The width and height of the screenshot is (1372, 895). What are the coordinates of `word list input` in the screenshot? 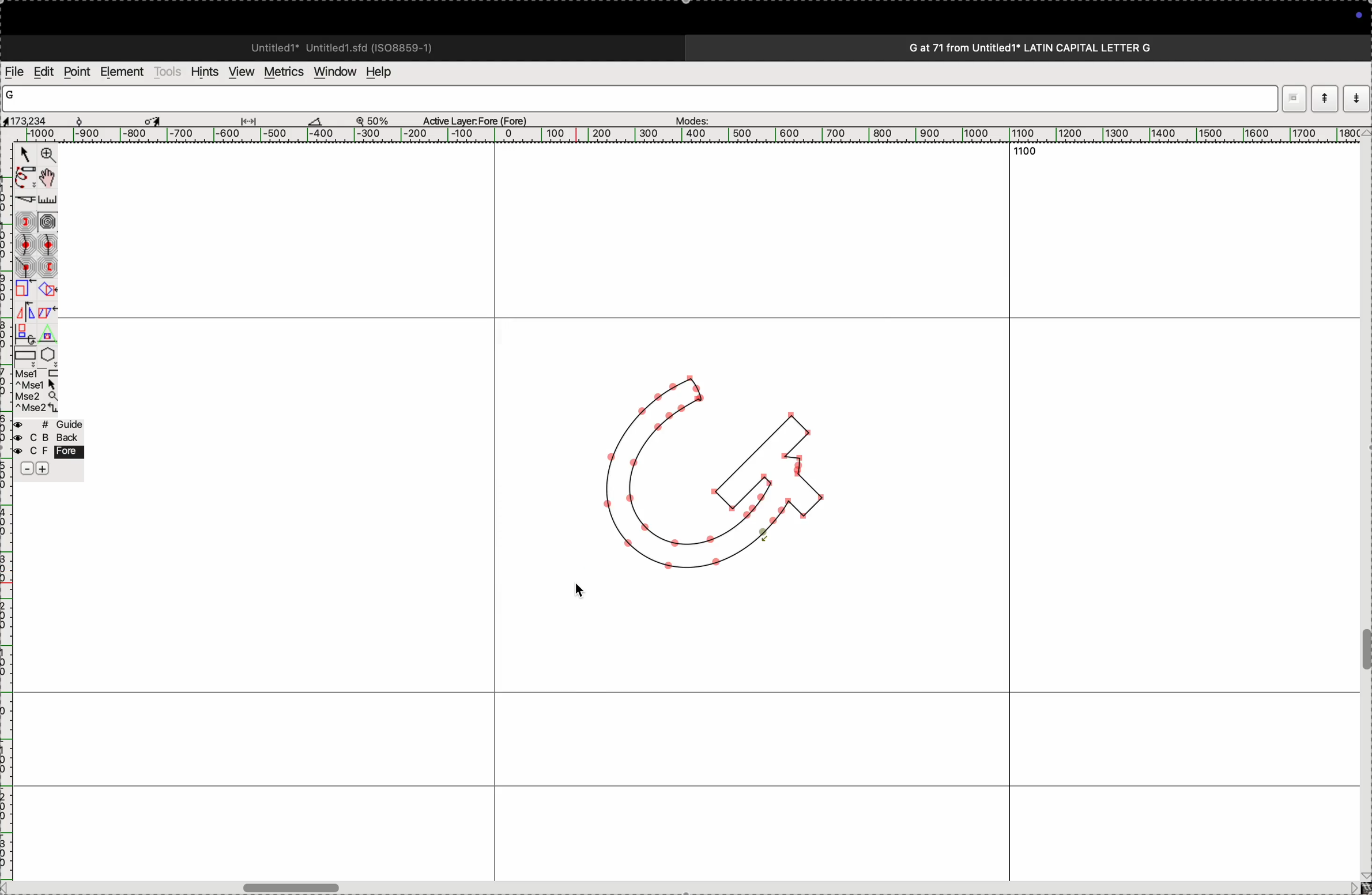 It's located at (642, 99).